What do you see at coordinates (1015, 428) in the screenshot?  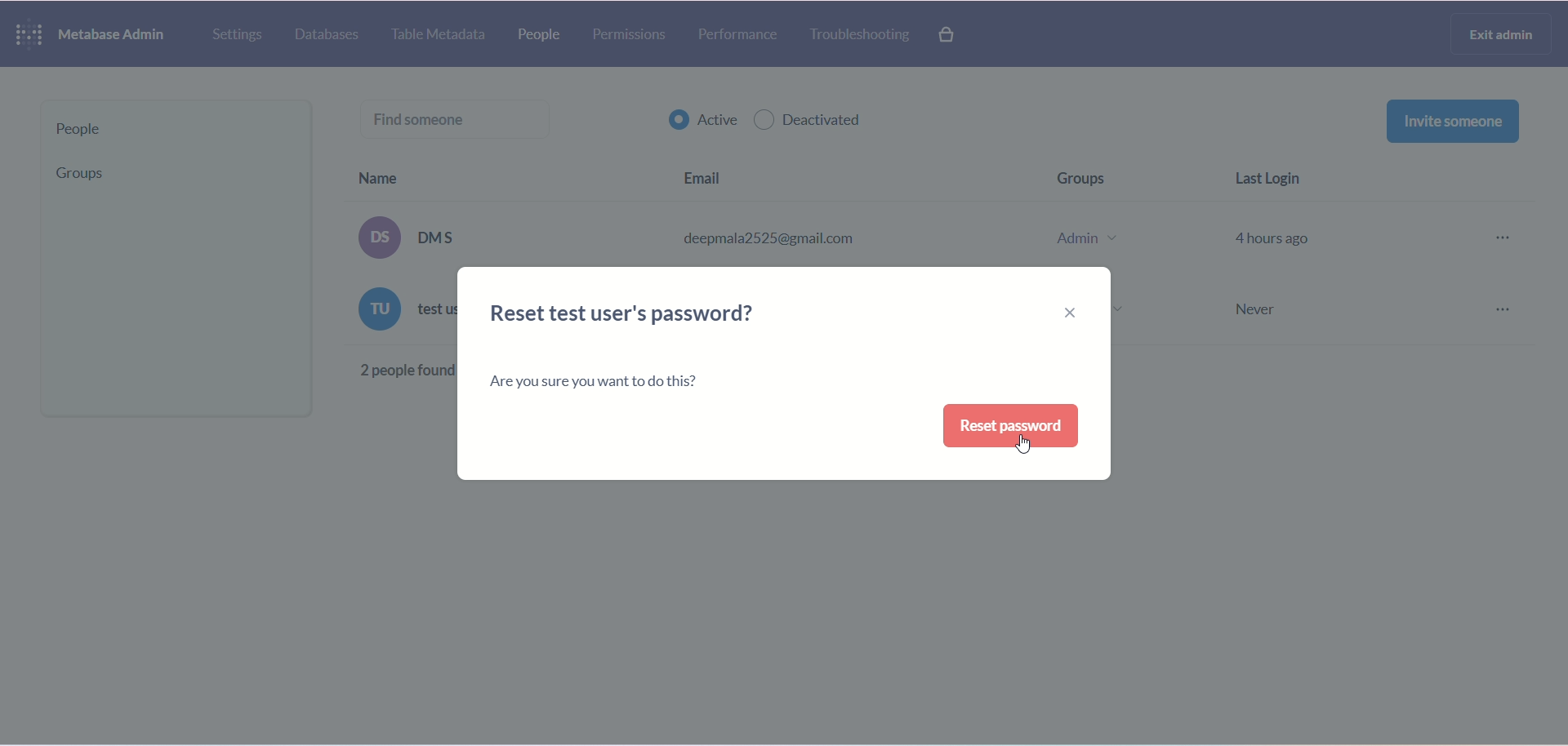 I see `reset password` at bounding box center [1015, 428].